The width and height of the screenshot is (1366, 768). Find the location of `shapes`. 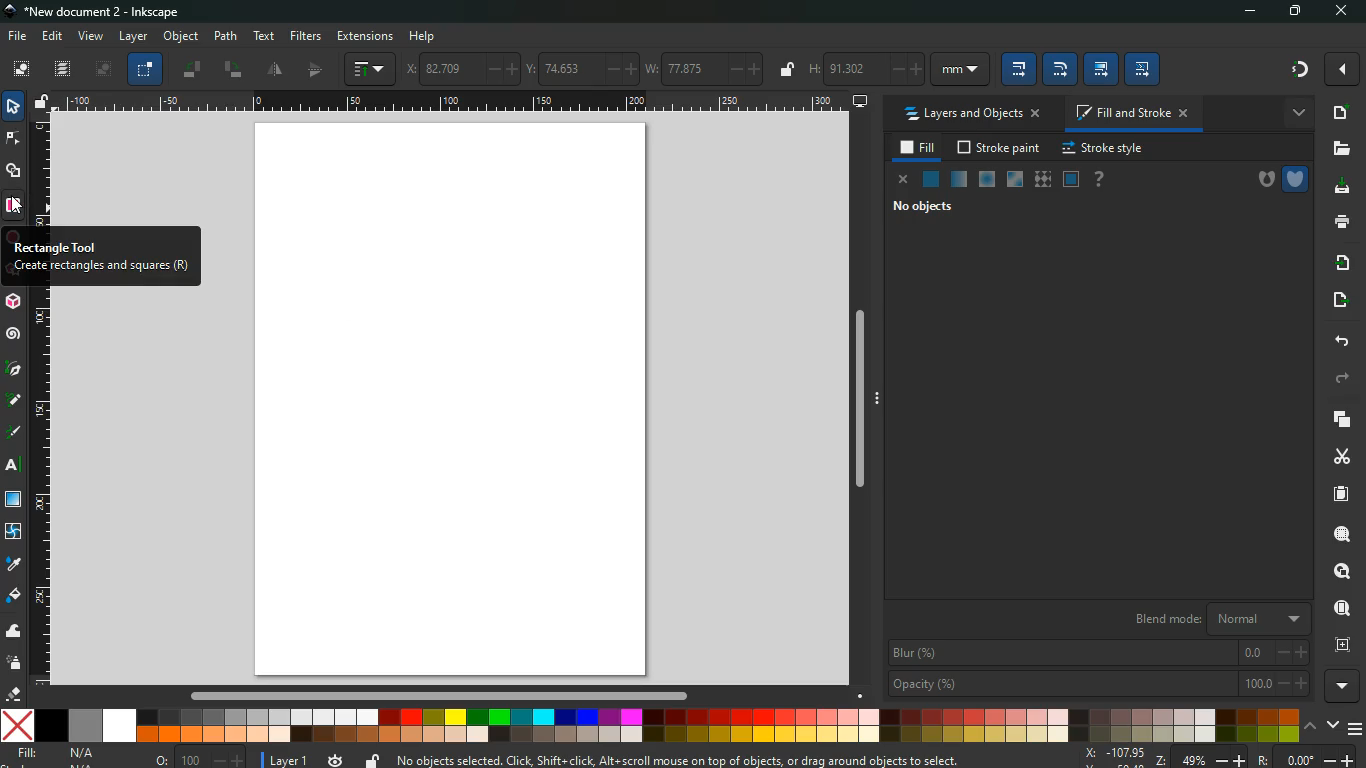

shapes is located at coordinates (15, 174).